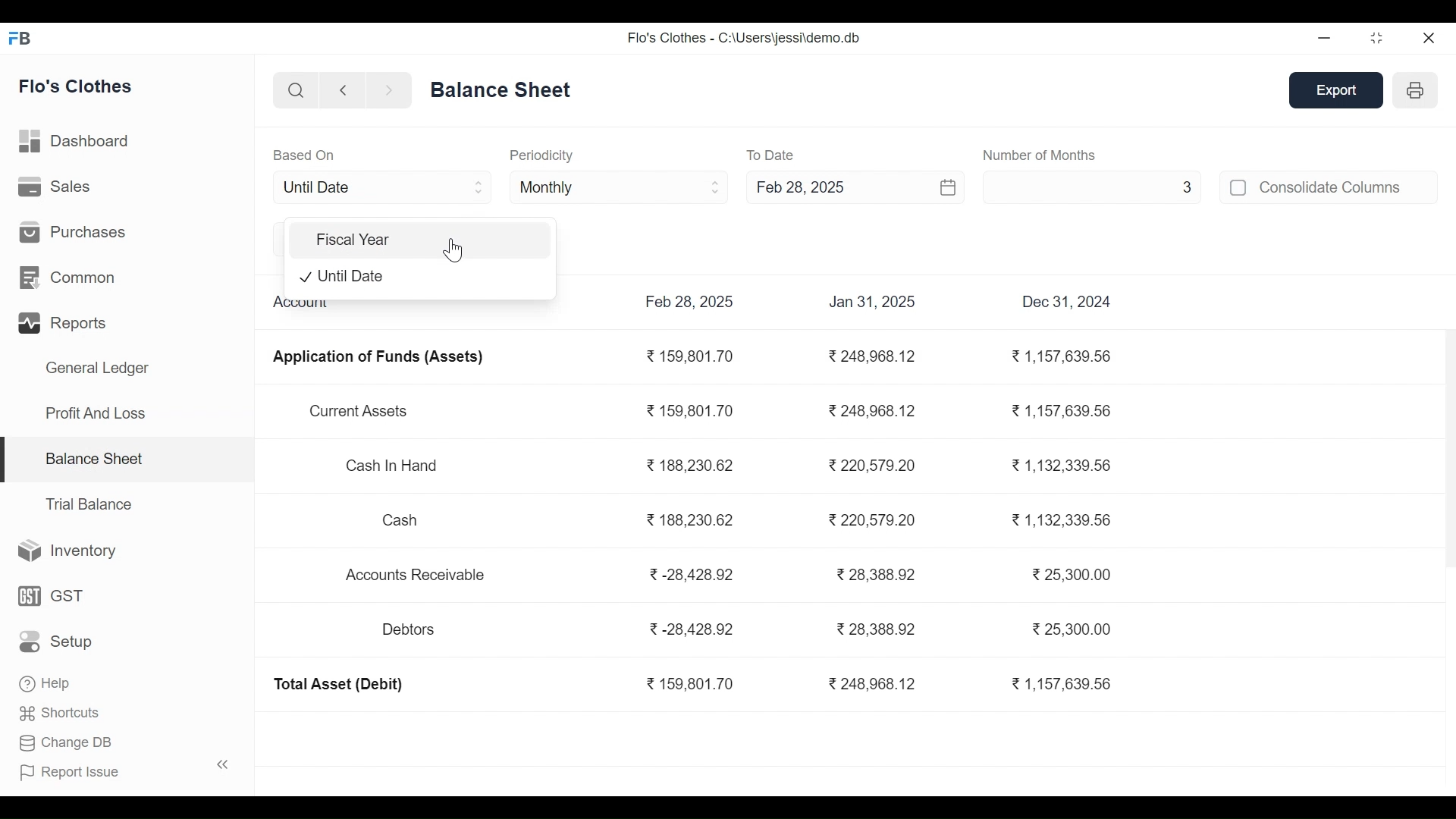 This screenshot has height=819, width=1456. I want to click on setup, so click(58, 642).